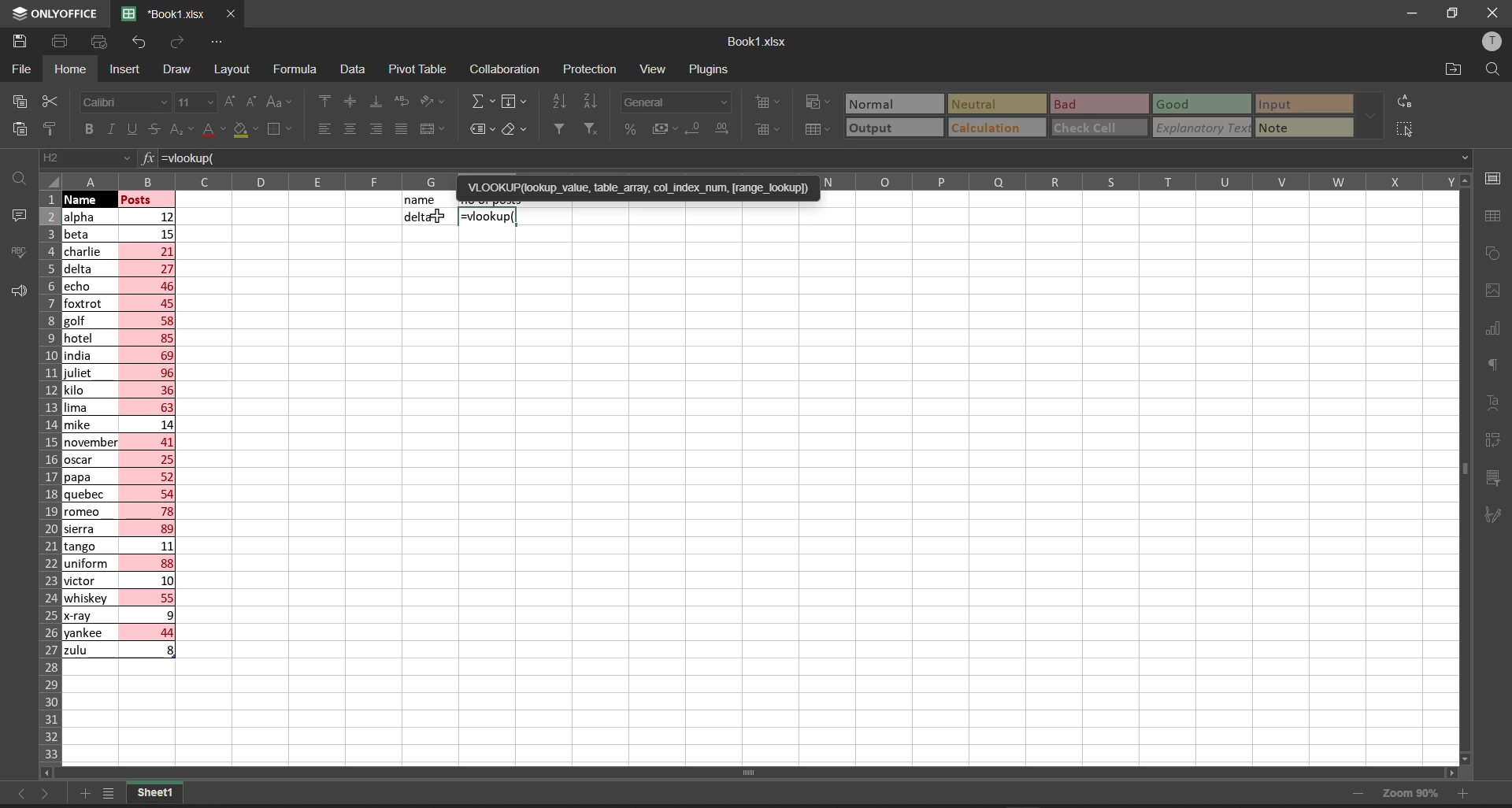  Describe the element at coordinates (406, 103) in the screenshot. I see `wrap text` at that location.